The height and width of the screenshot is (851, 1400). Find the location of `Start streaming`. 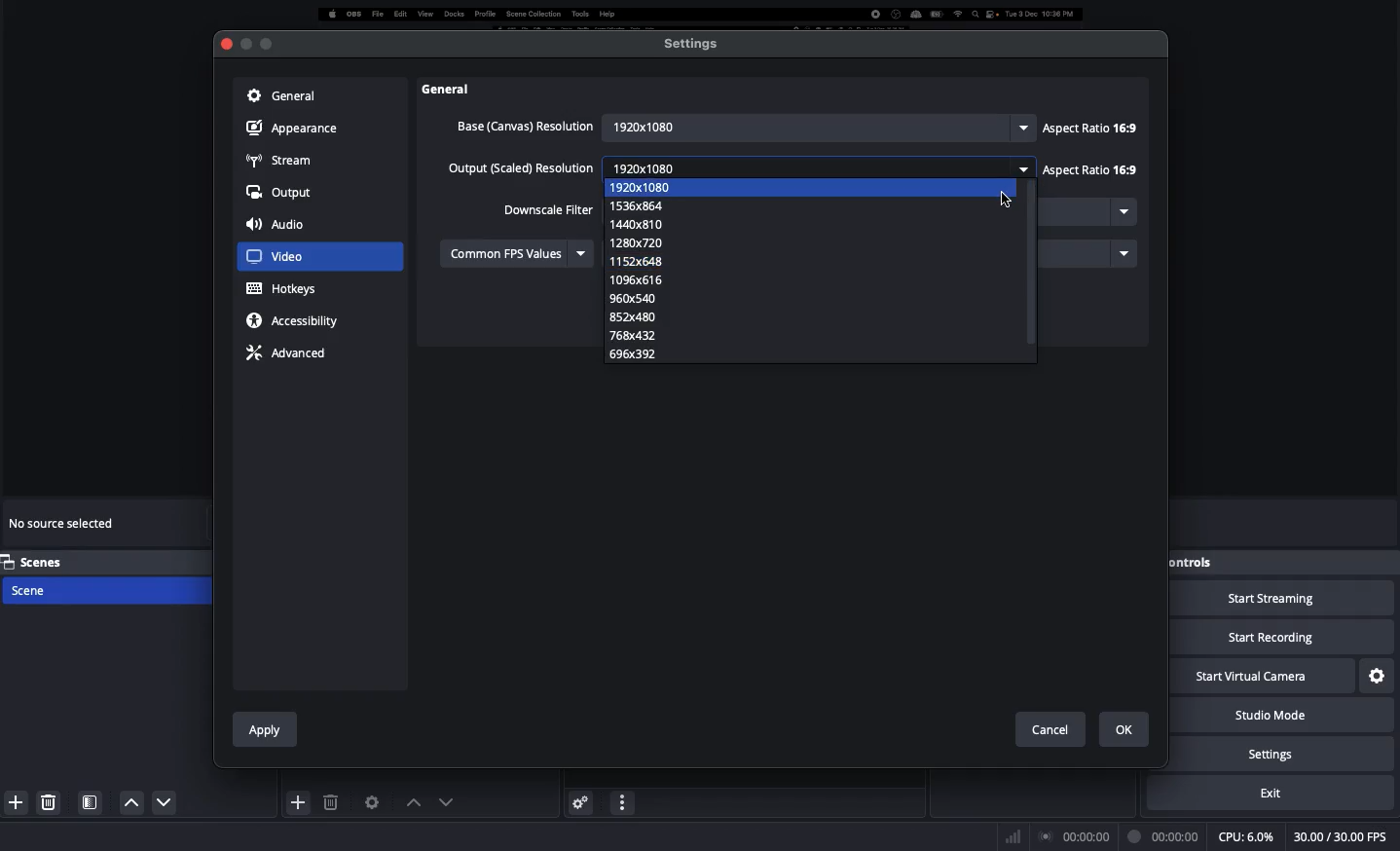

Start streaming is located at coordinates (1283, 600).